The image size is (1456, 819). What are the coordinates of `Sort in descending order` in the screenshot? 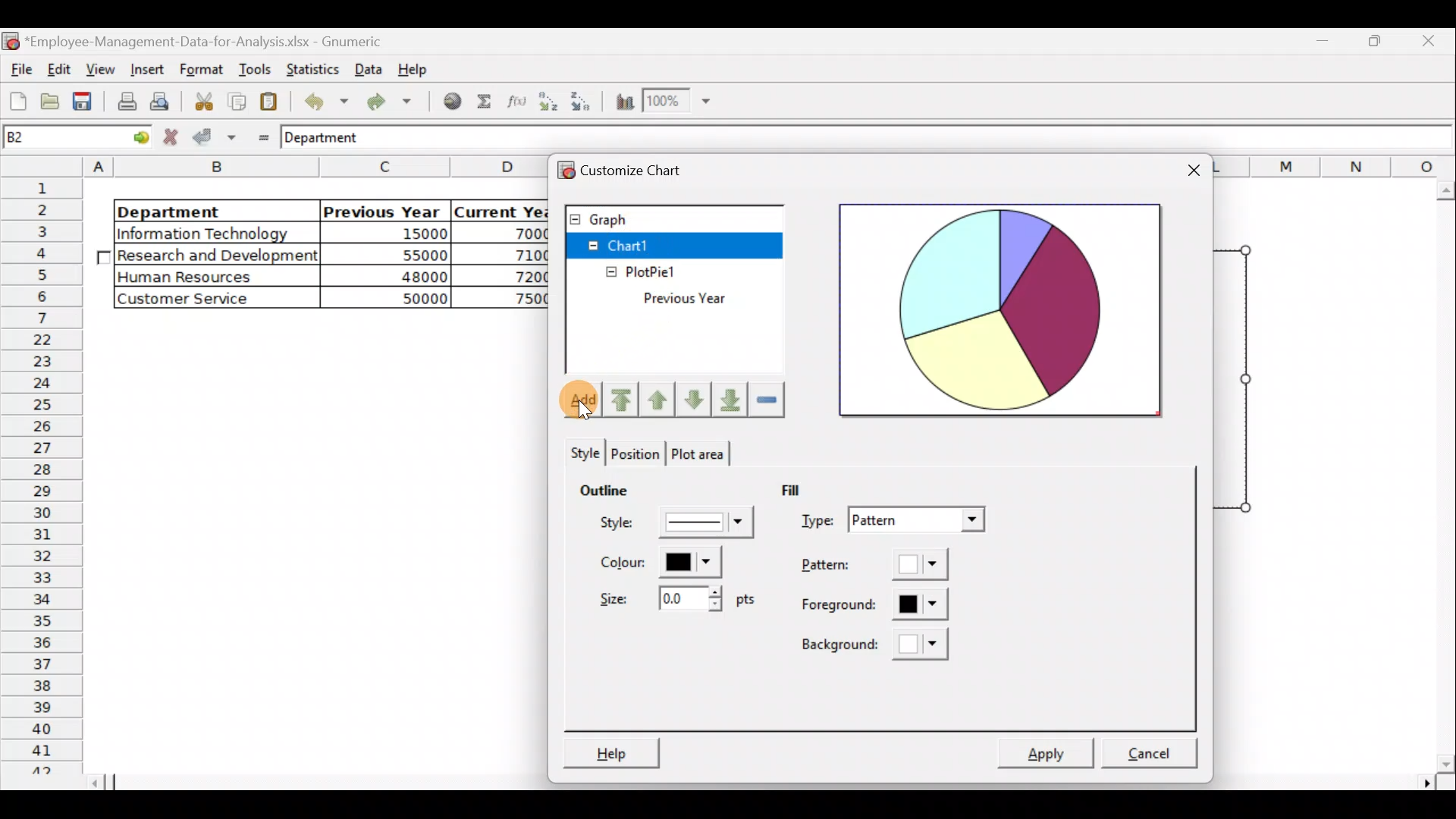 It's located at (582, 102).